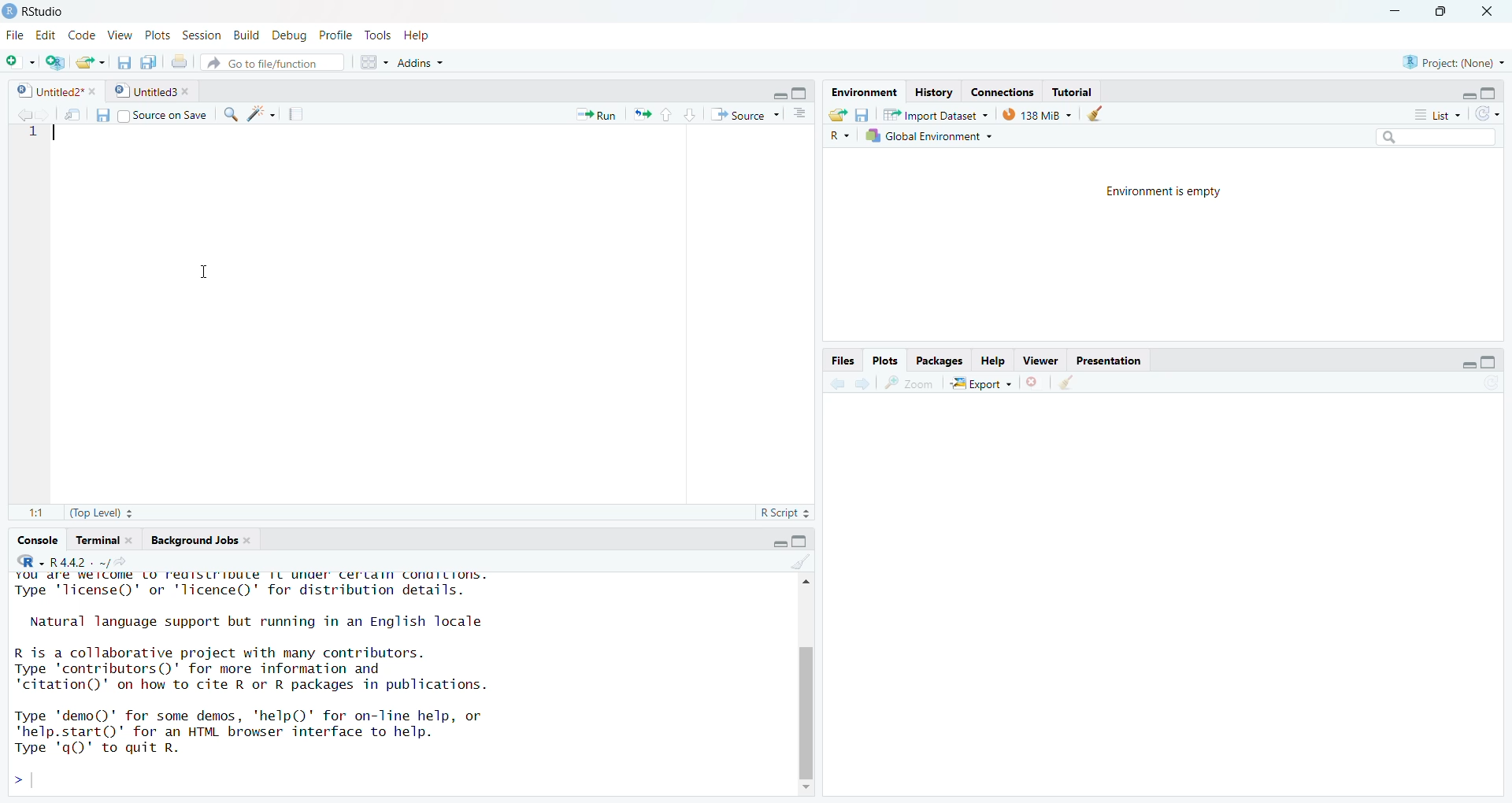  What do you see at coordinates (291, 35) in the screenshot?
I see `Debug` at bounding box center [291, 35].